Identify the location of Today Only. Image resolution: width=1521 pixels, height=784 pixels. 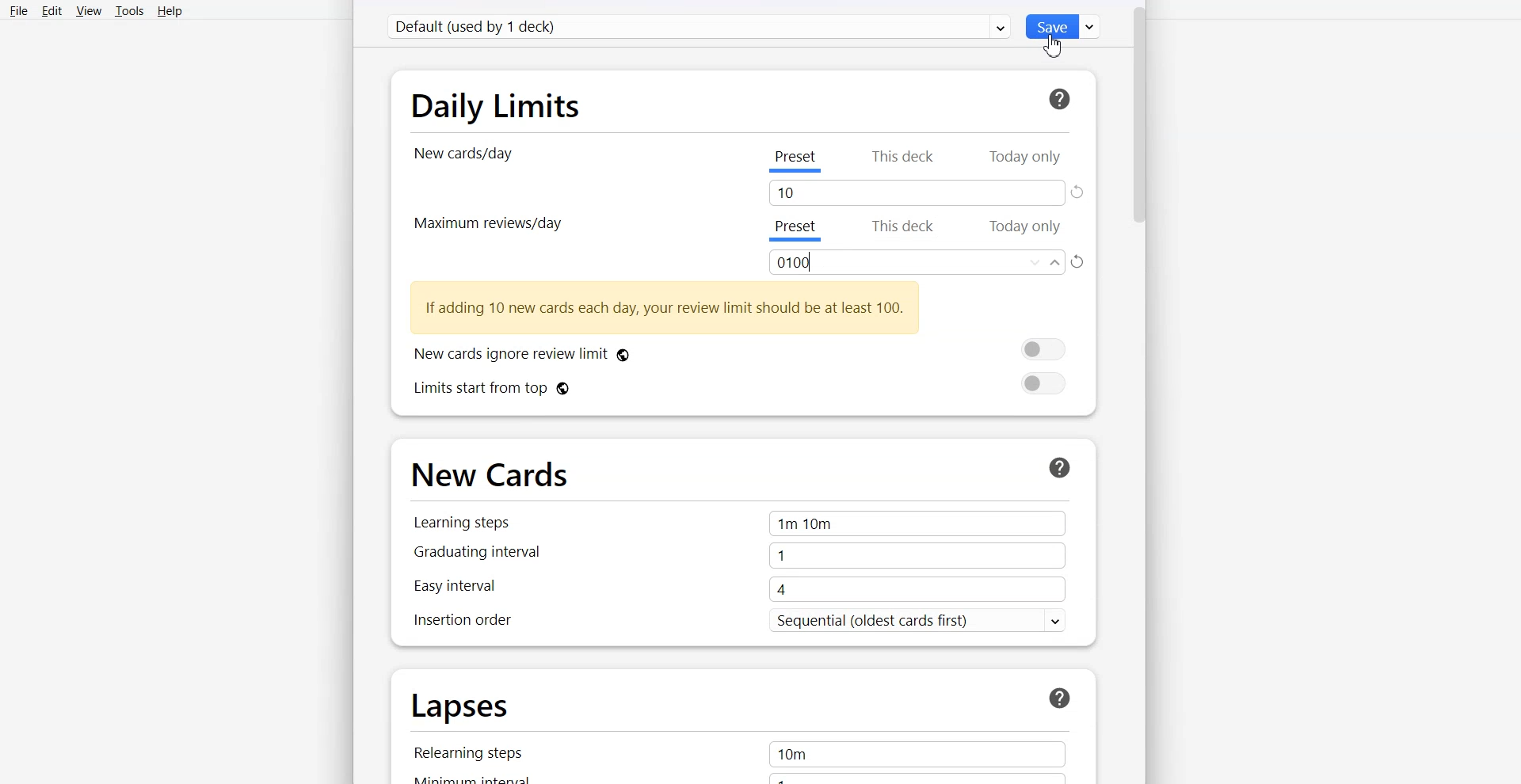
(1024, 158).